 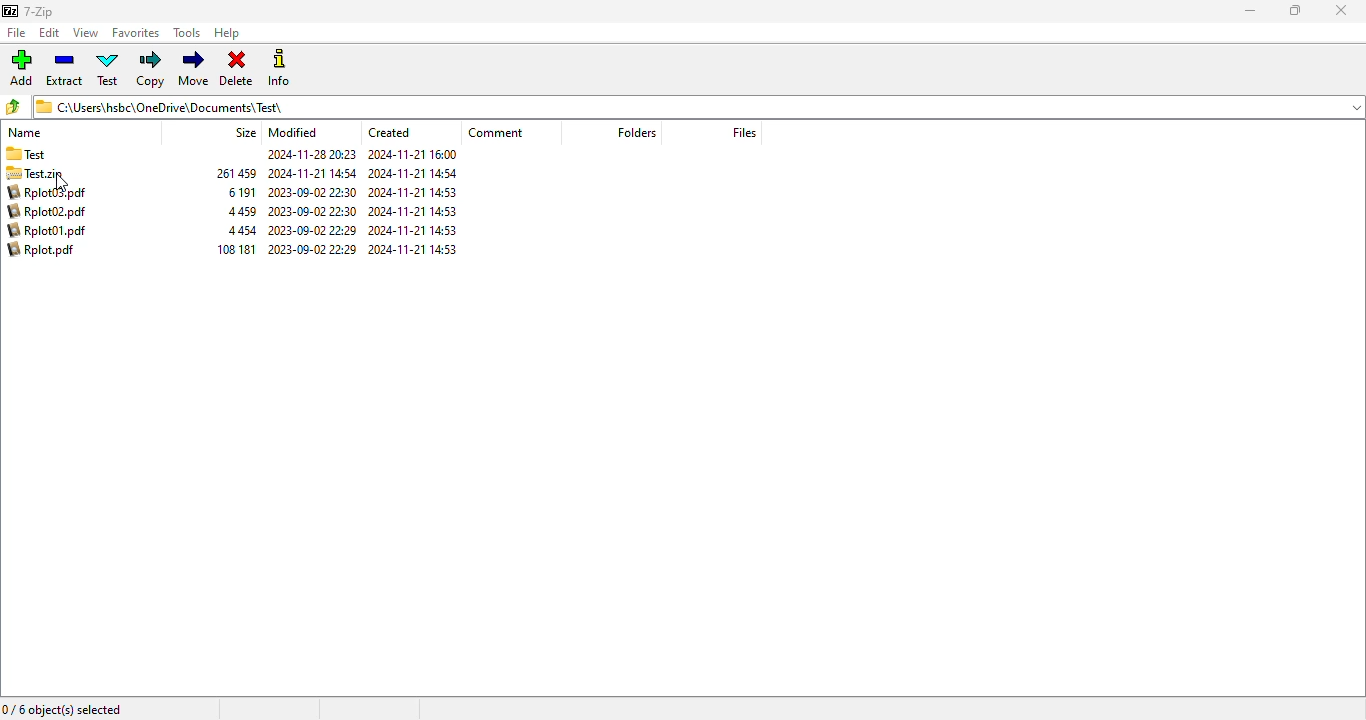 I want to click on delete, so click(x=237, y=68).